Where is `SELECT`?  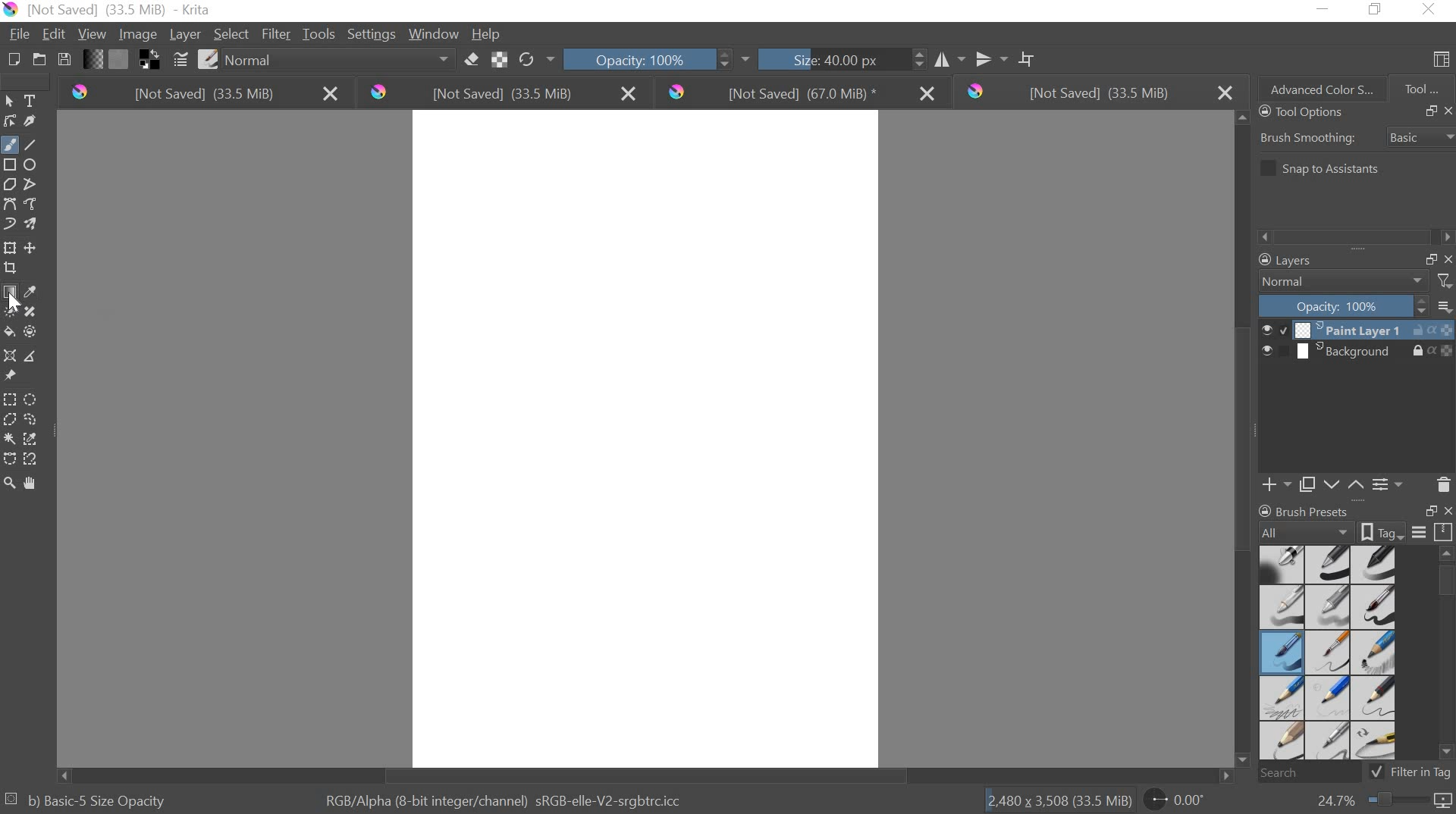 SELECT is located at coordinates (231, 34).